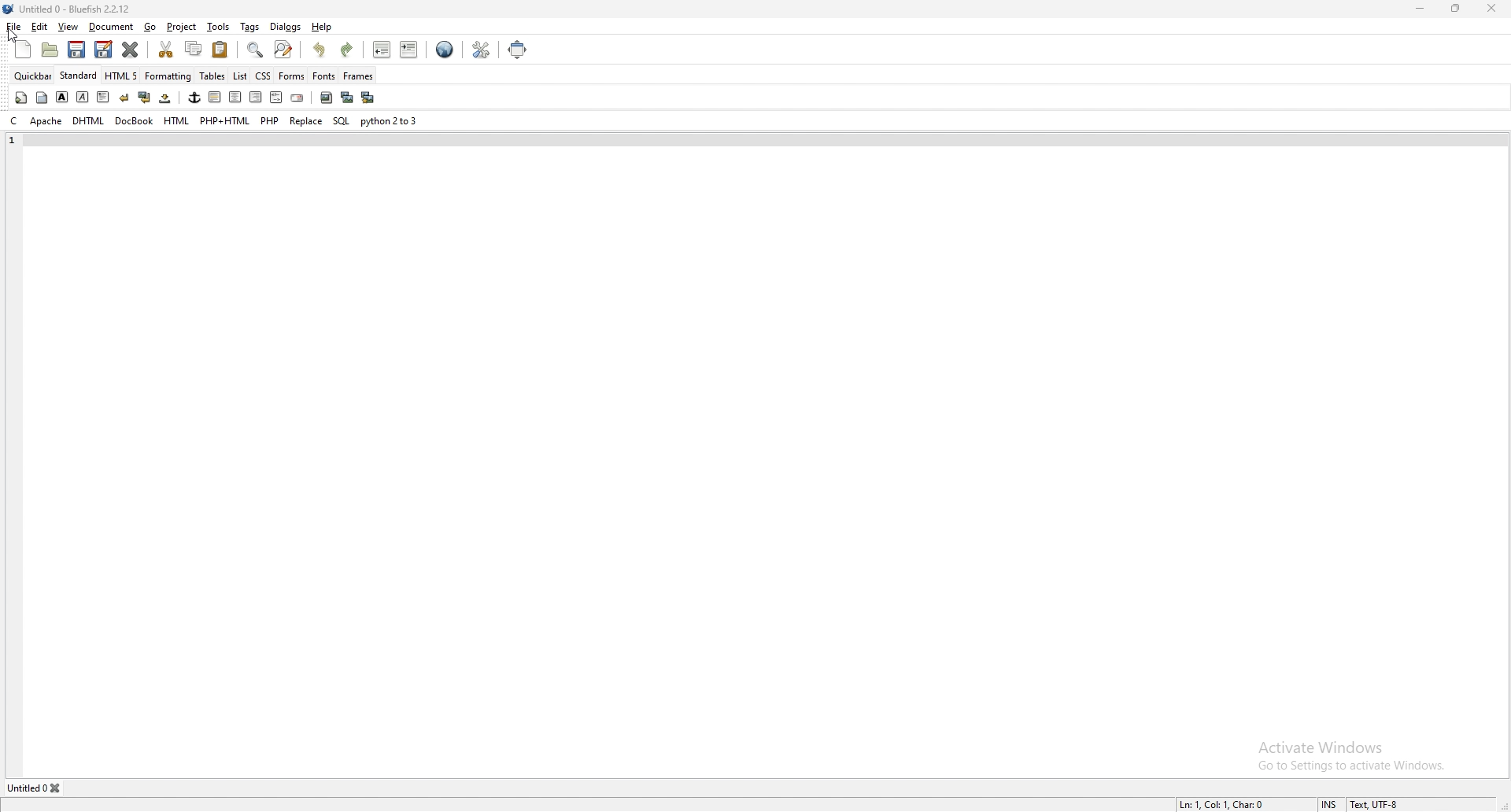  I want to click on copy, so click(193, 48).